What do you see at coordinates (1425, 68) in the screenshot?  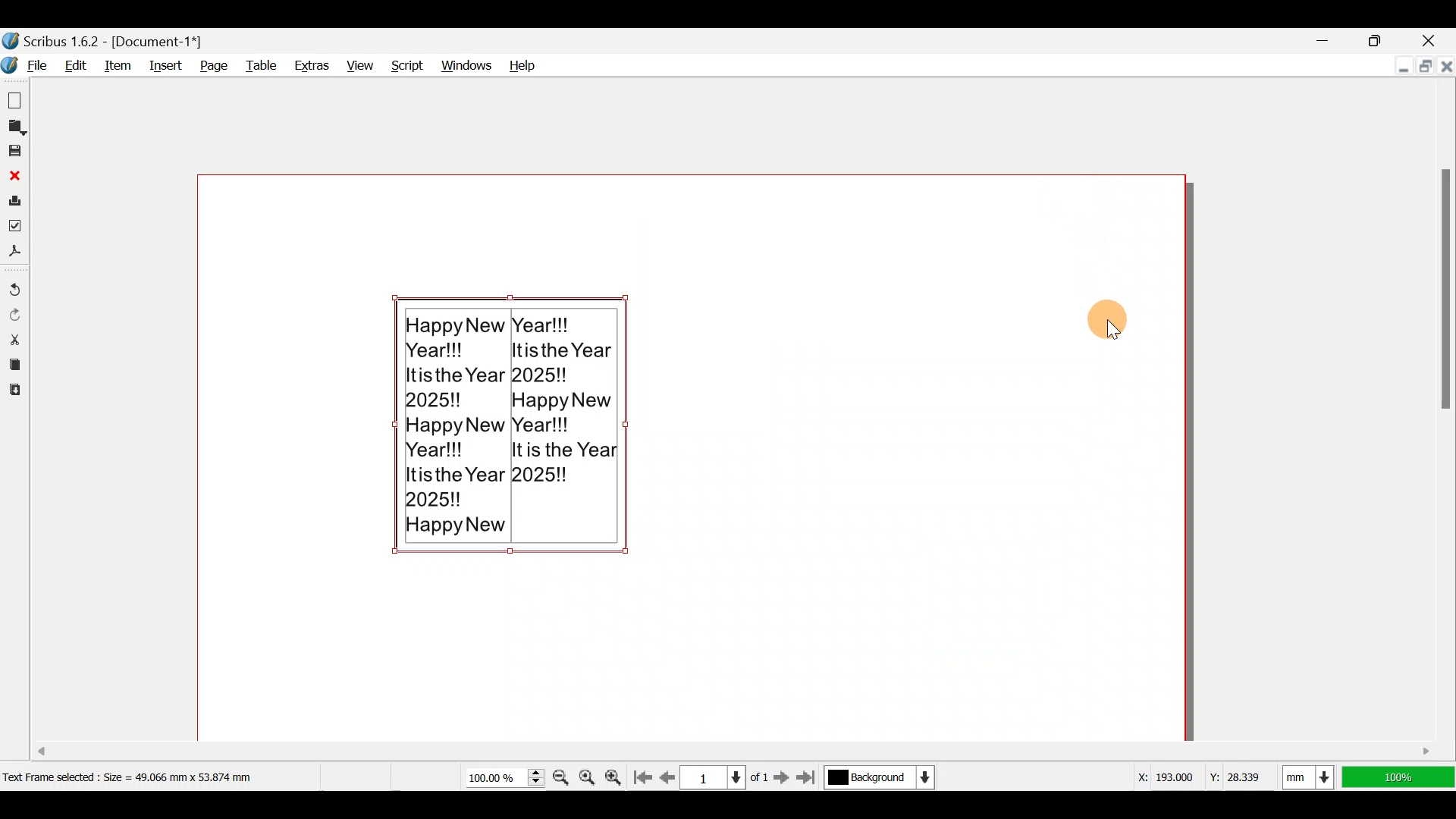 I see `Maximize` at bounding box center [1425, 68].